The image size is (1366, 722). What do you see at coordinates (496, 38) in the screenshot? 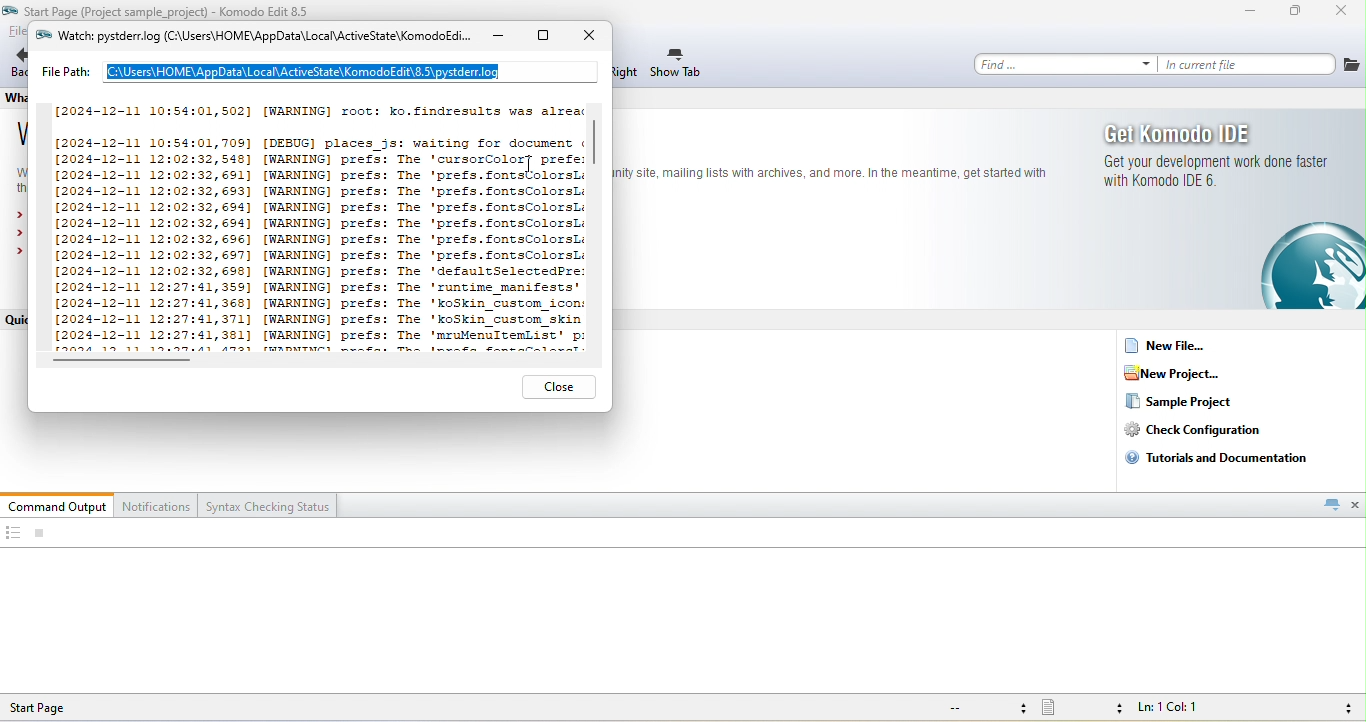
I see `minimize` at bounding box center [496, 38].